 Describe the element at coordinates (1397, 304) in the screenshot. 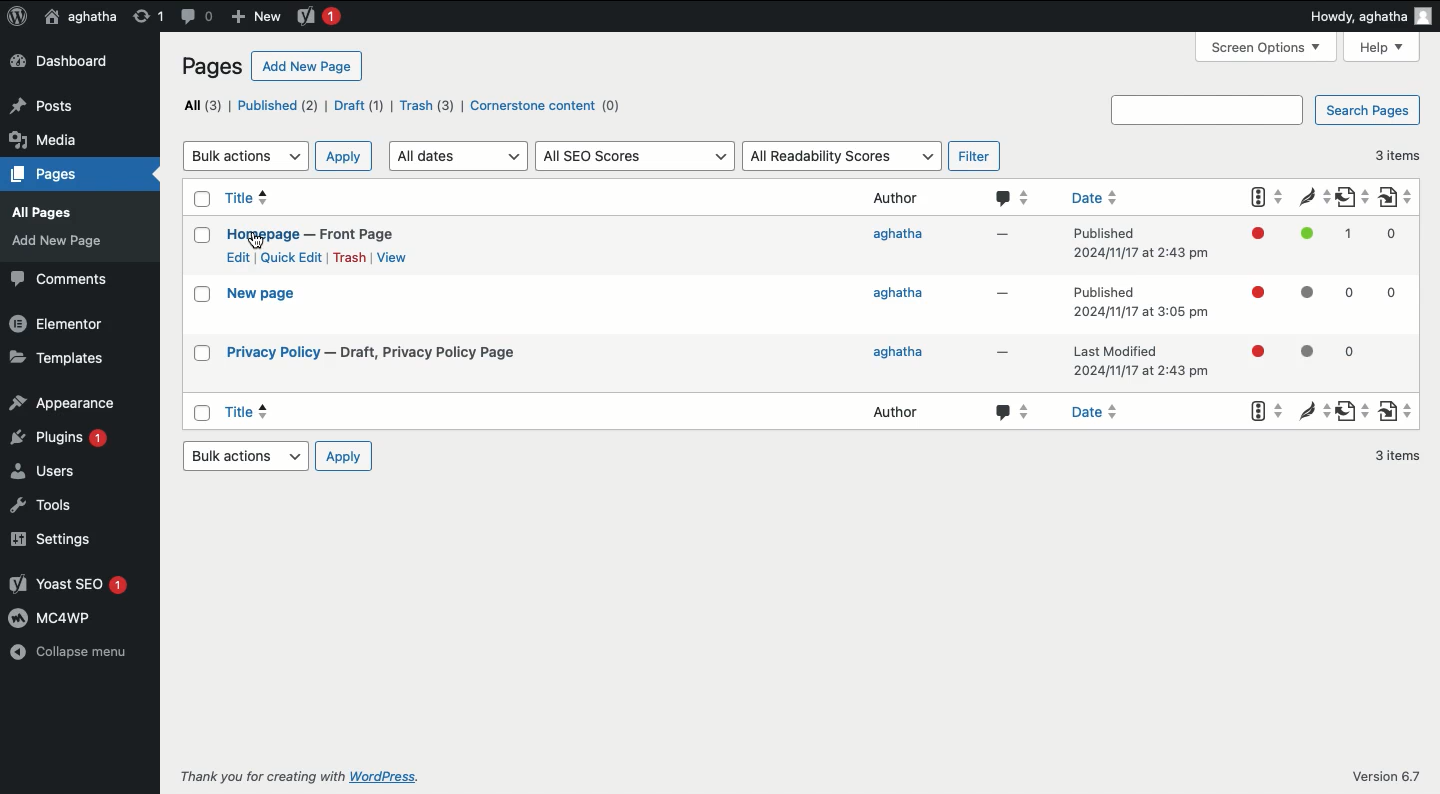

I see `Internal links` at that location.